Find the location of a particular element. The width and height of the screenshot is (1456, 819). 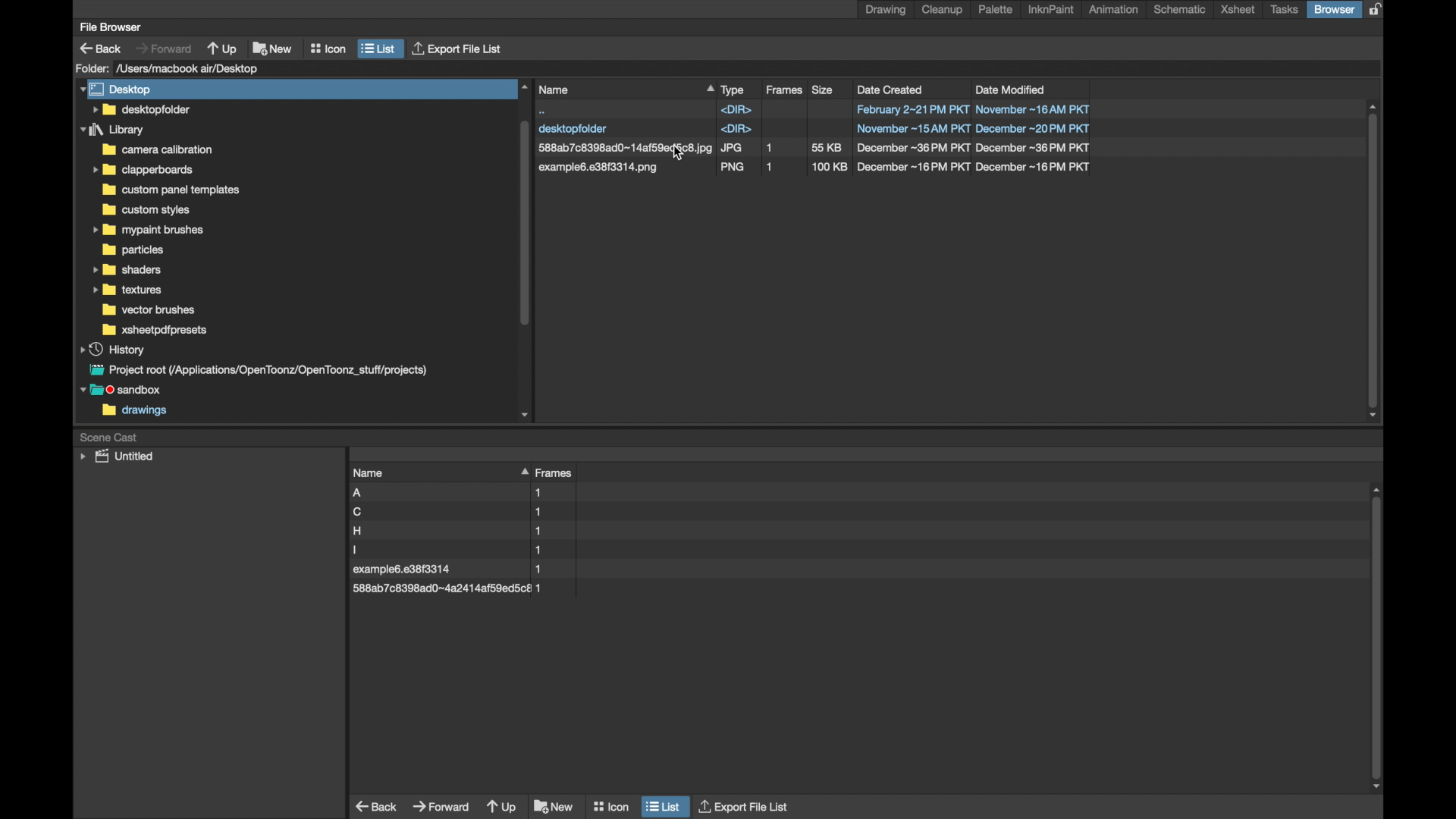

scroll box is located at coordinates (523, 249).